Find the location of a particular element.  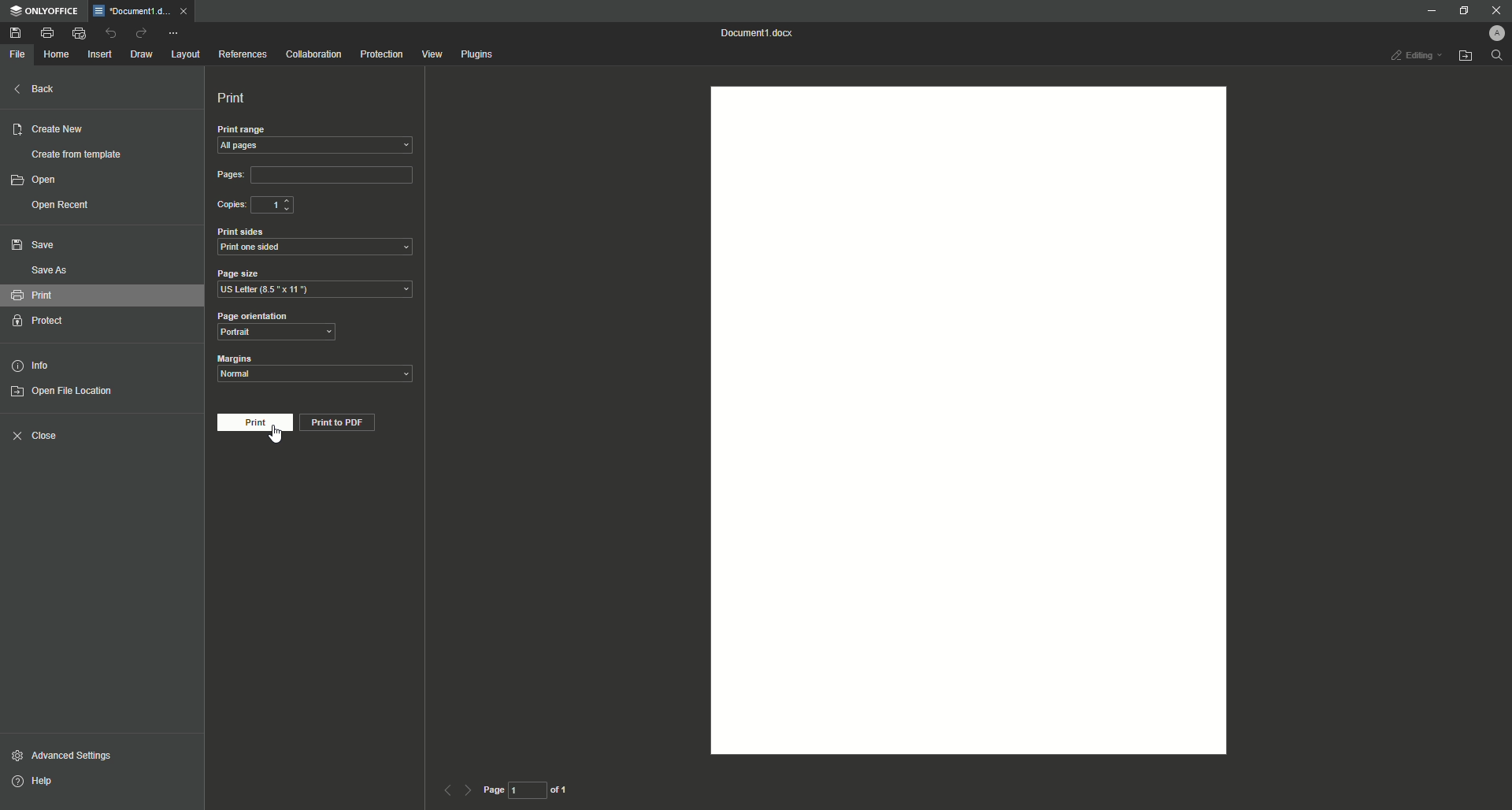

Copies  is located at coordinates (228, 206).